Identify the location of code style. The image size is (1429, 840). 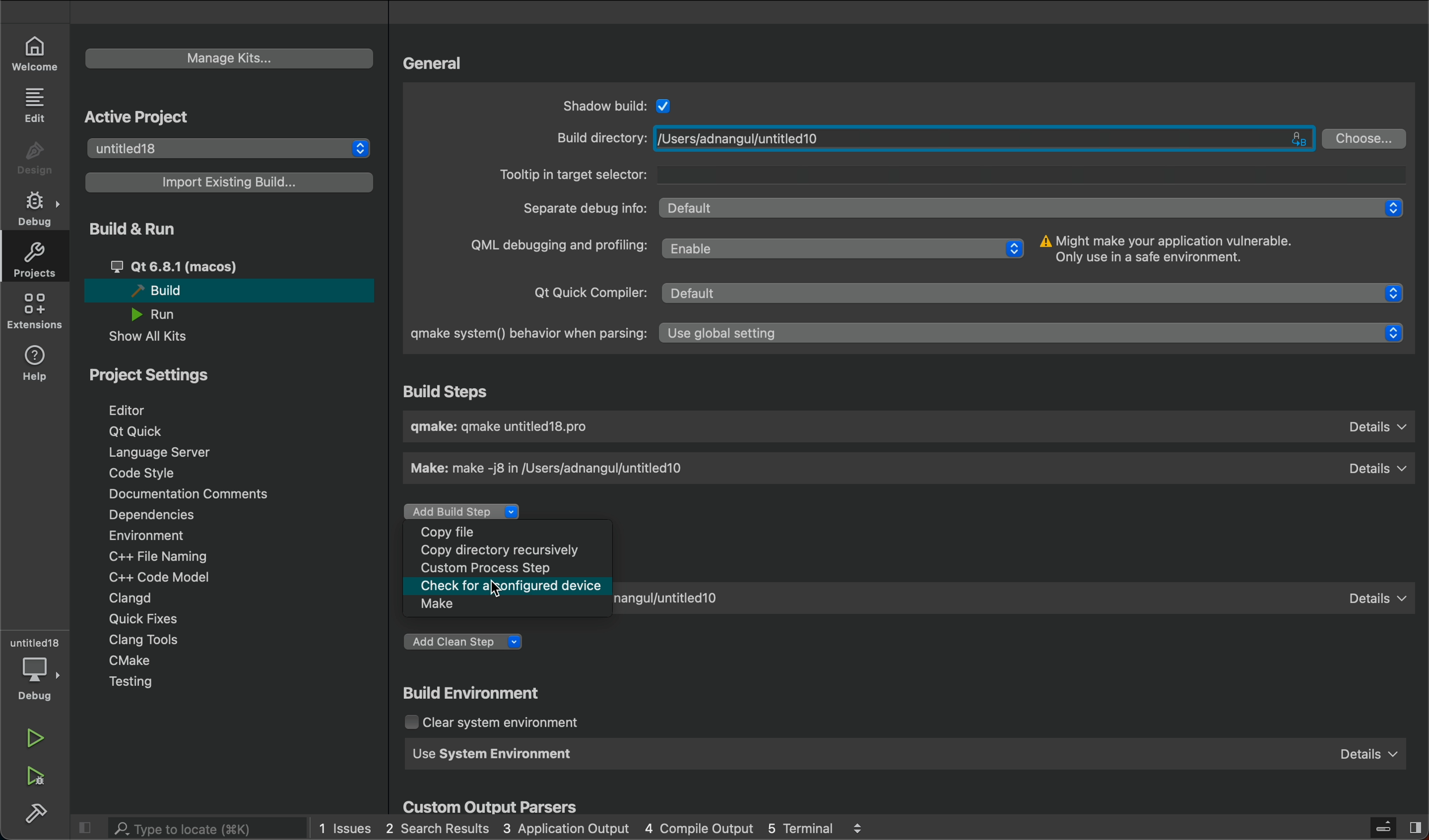
(150, 472).